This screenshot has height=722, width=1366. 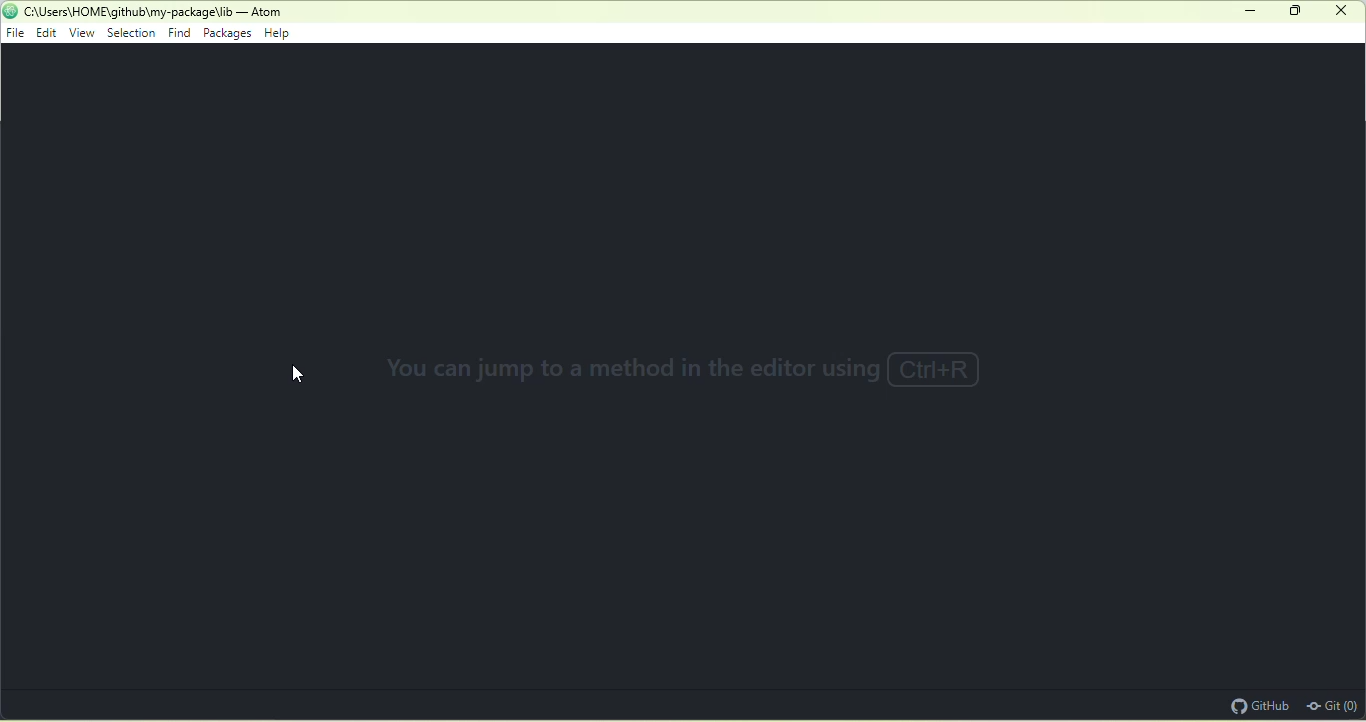 What do you see at coordinates (179, 32) in the screenshot?
I see `find` at bounding box center [179, 32].